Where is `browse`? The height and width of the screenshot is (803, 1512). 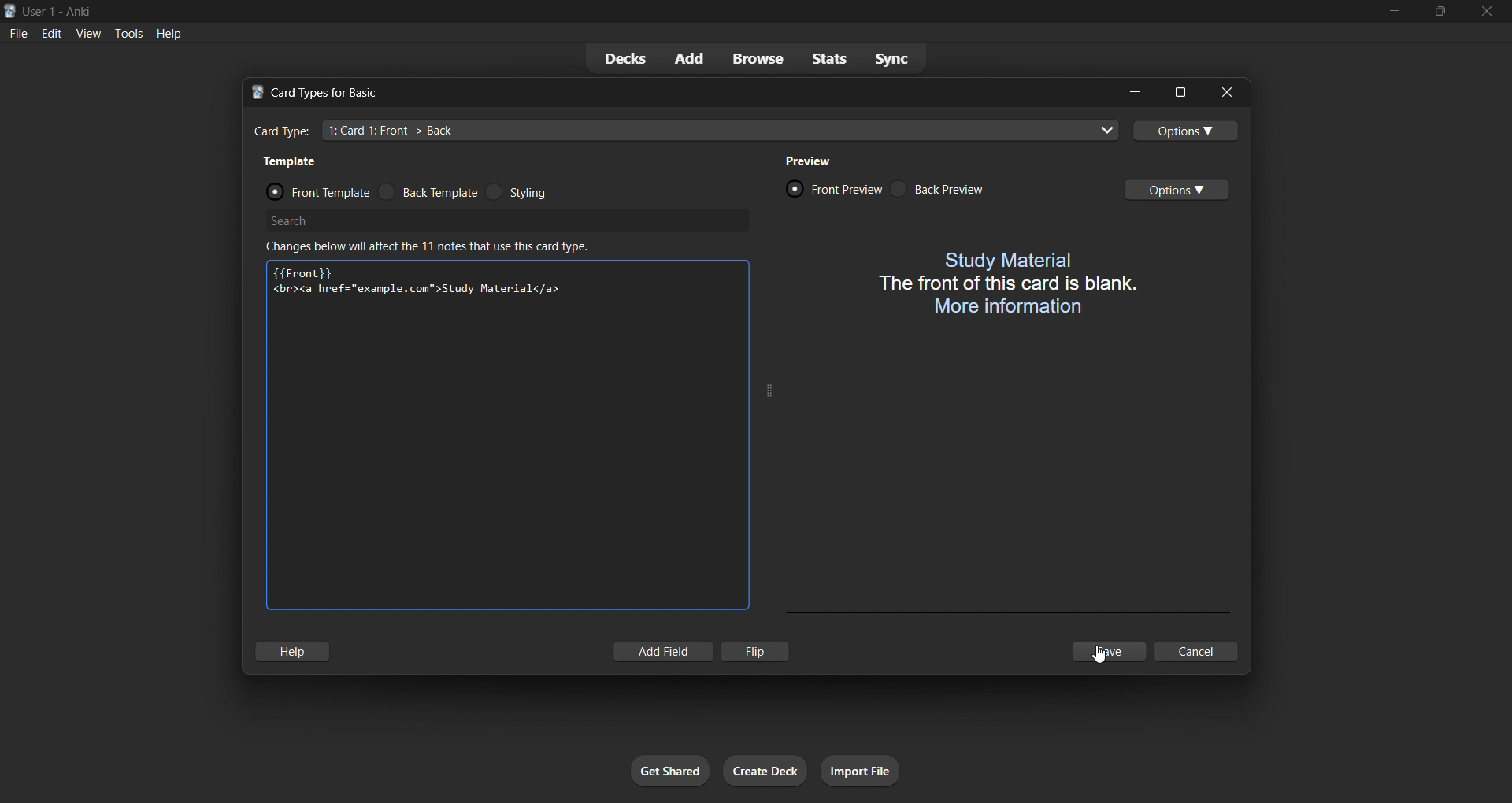 browse is located at coordinates (753, 58).